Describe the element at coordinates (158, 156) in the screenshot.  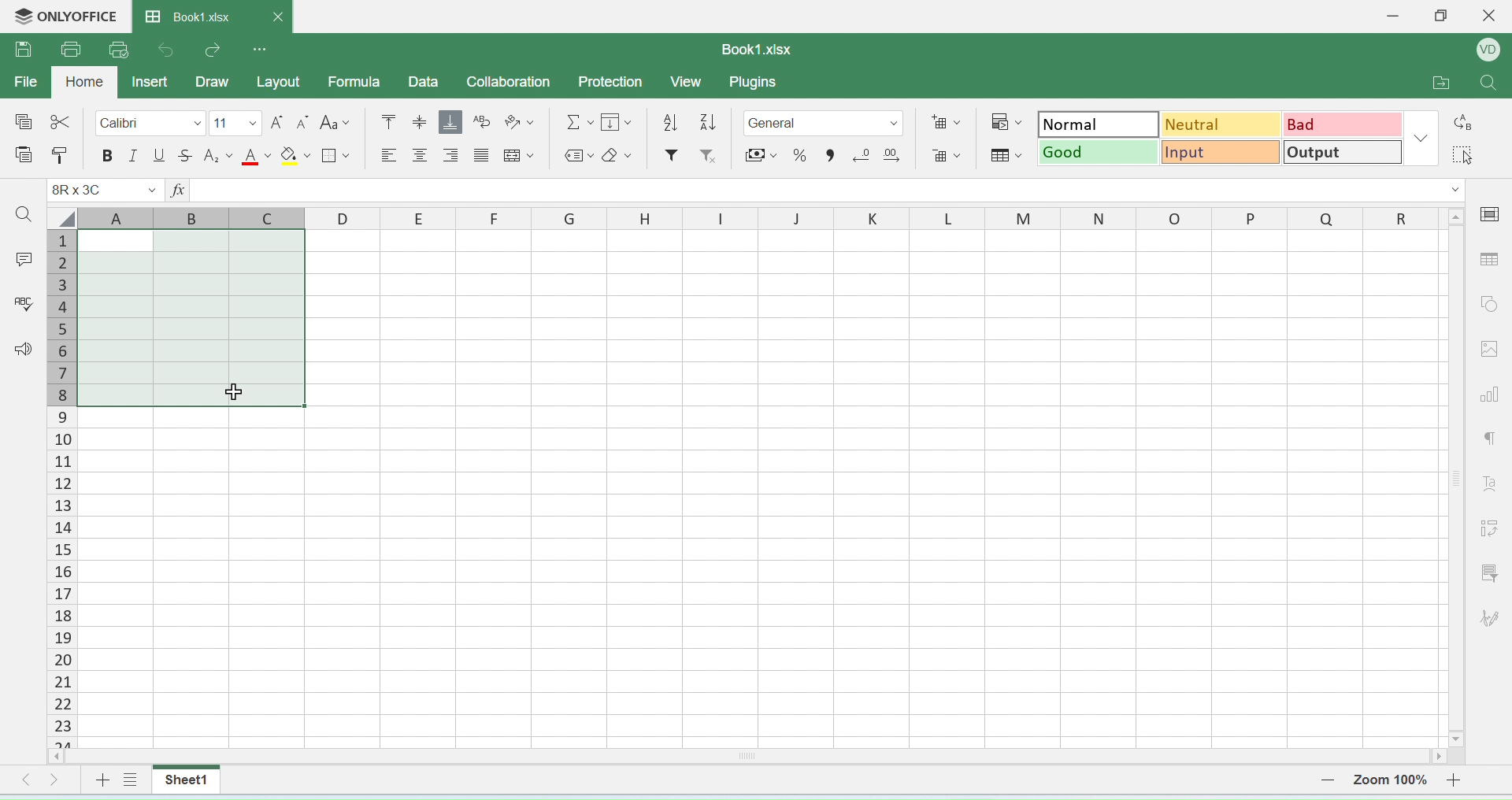
I see `underline` at that location.